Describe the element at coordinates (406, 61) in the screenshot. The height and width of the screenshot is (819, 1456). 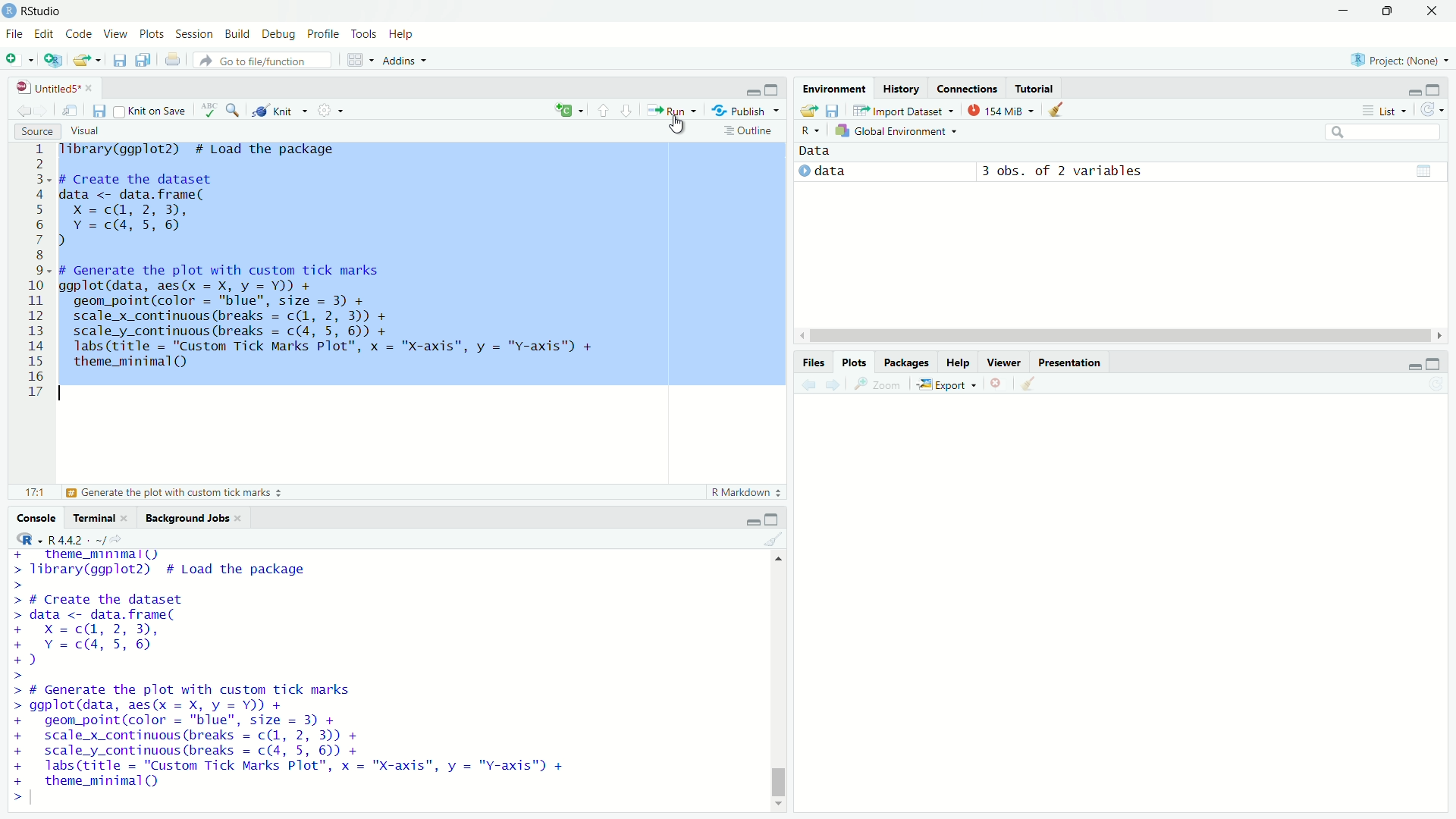
I see `addins` at that location.